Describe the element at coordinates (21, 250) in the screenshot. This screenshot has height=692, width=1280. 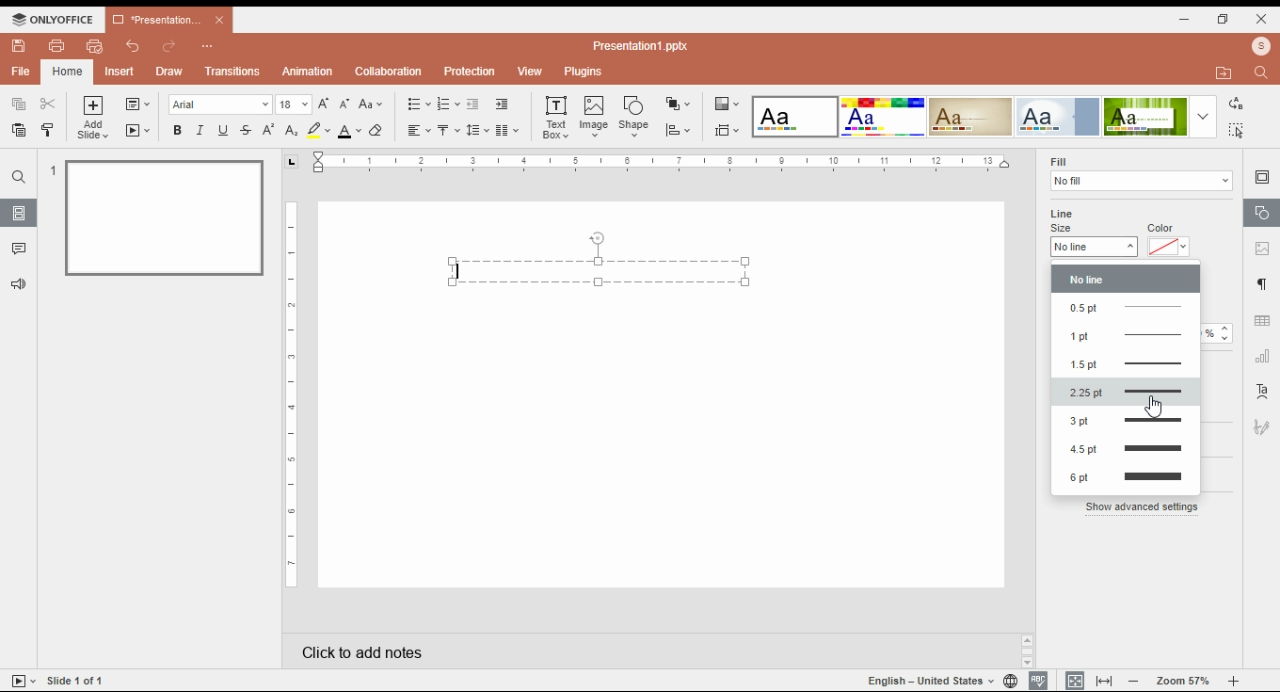
I see `comment` at that location.